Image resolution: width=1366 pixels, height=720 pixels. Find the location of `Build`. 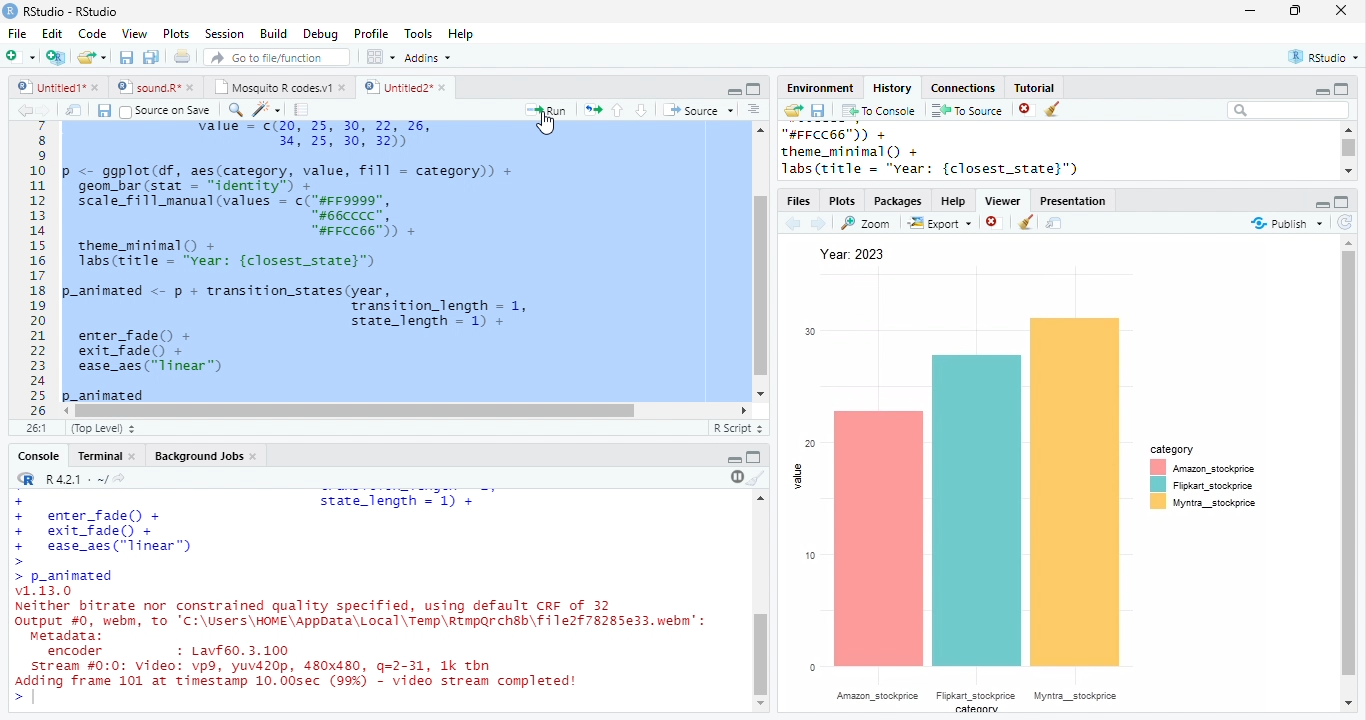

Build is located at coordinates (273, 33).